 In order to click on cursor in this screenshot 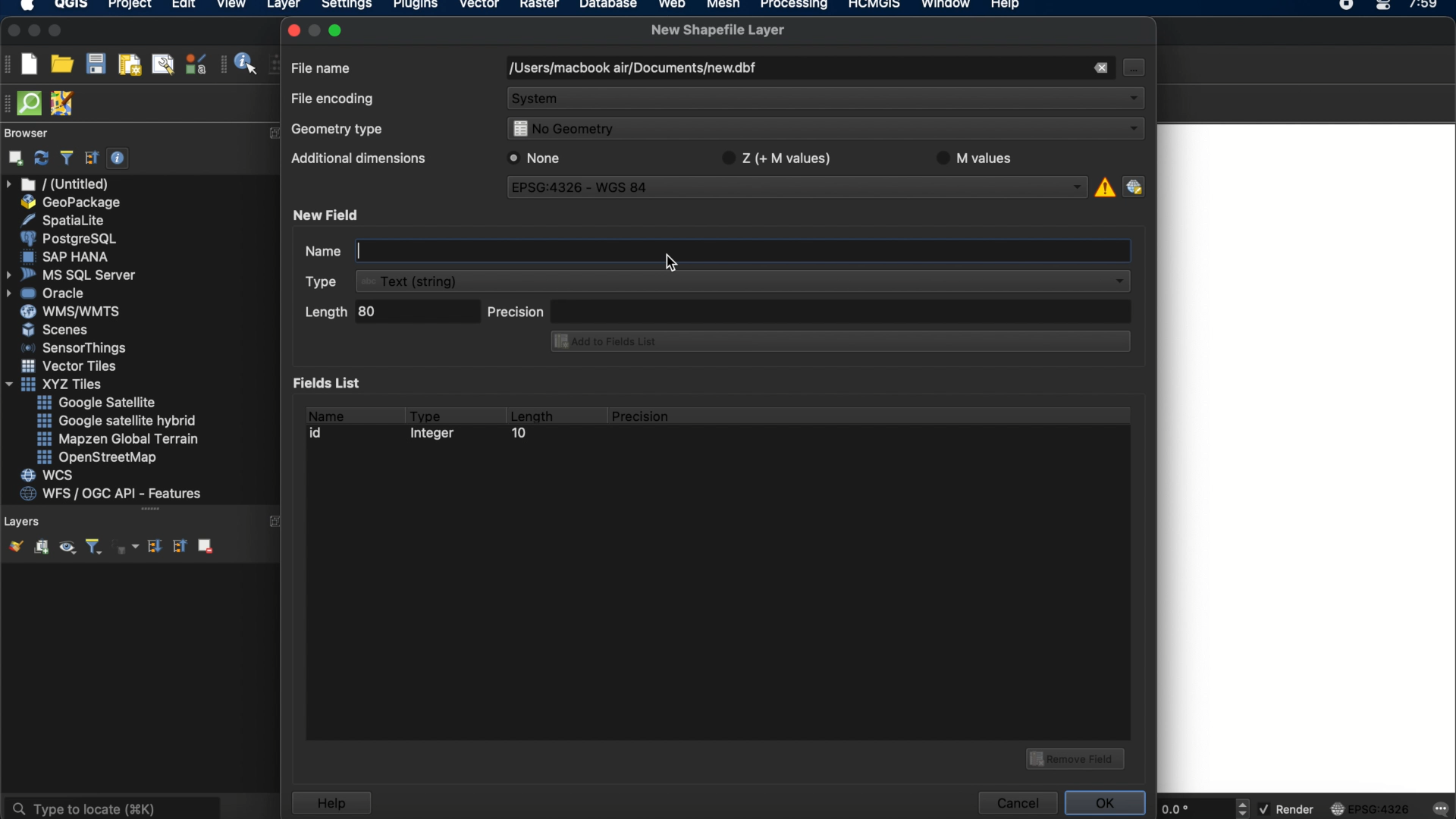, I will do `click(1132, 67)`.